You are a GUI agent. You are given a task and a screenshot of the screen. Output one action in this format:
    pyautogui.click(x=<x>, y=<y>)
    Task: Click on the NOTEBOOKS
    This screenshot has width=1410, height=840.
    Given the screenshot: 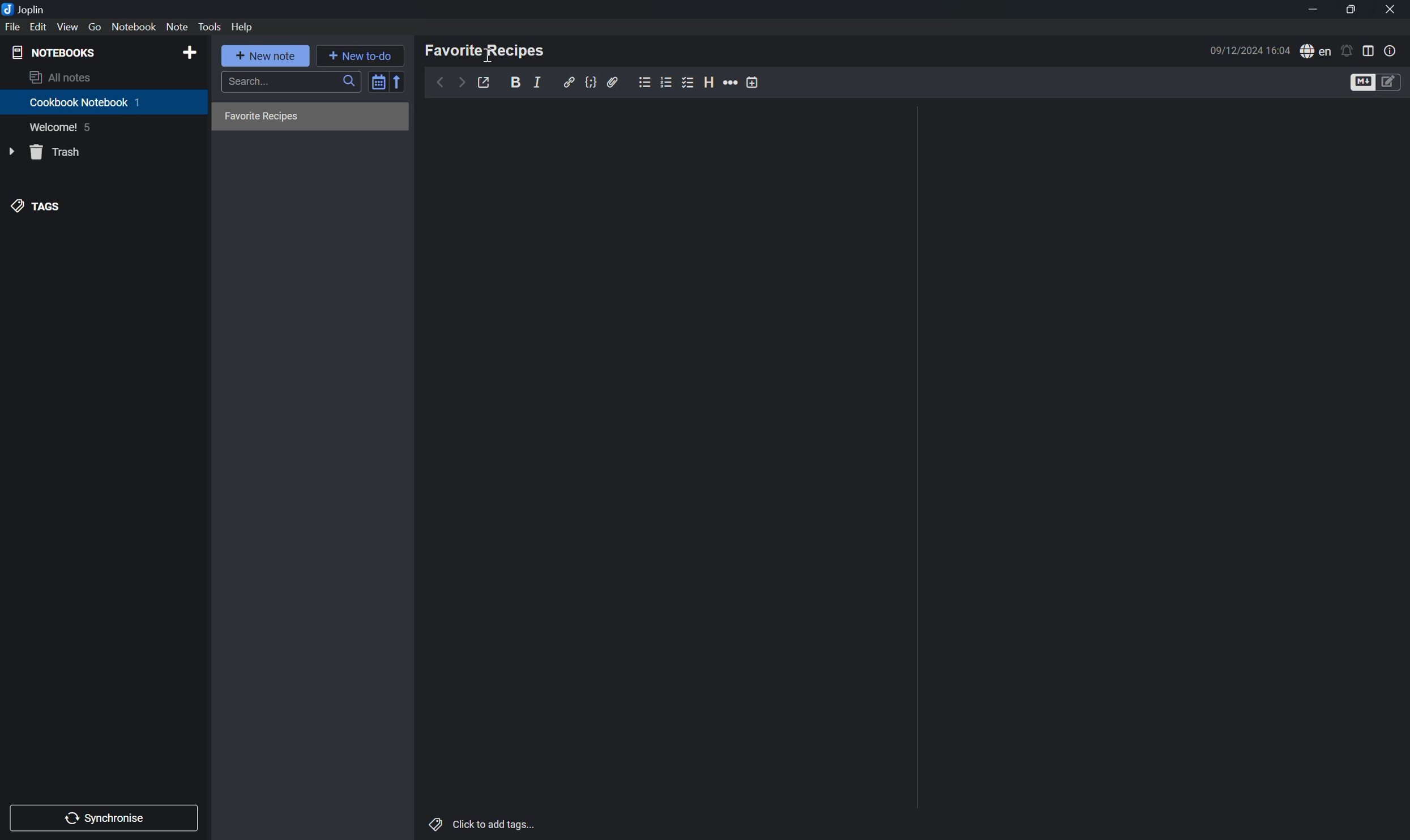 What is the action you would take?
    pyautogui.click(x=53, y=53)
    